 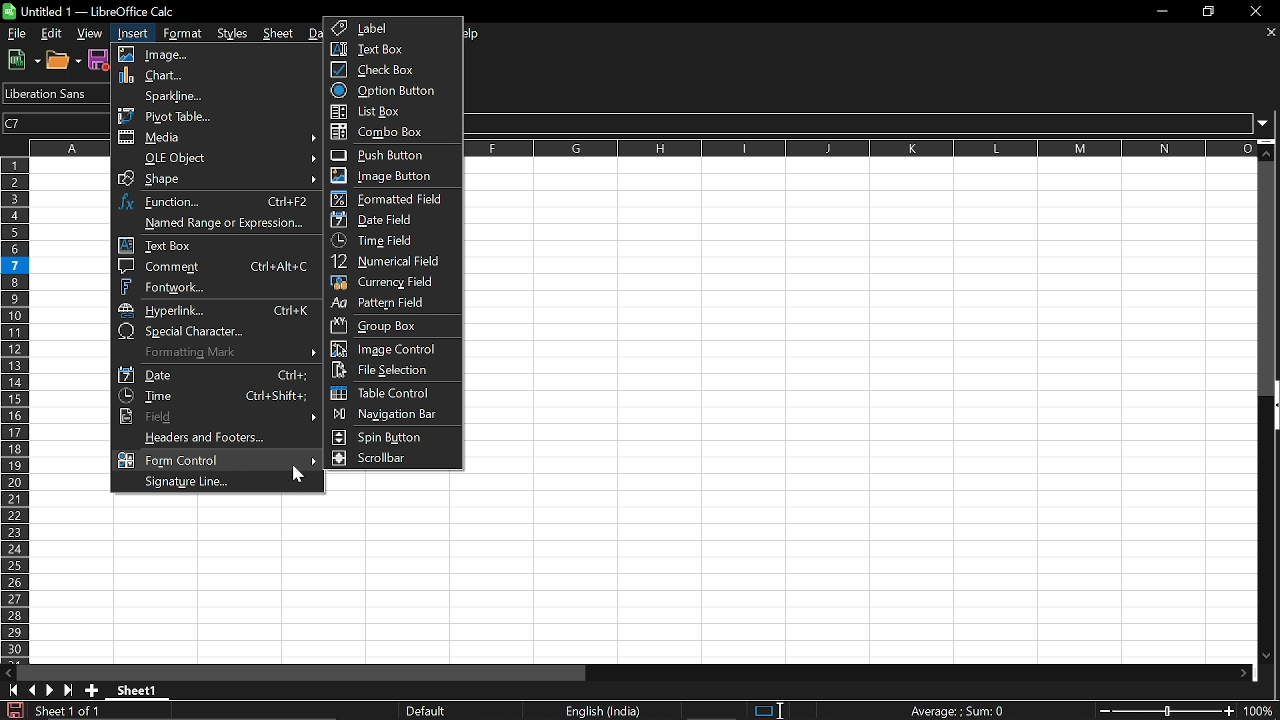 What do you see at coordinates (1268, 124) in the screenshot?
I see `Expand formula bar` at bounding box center [1268, 124].